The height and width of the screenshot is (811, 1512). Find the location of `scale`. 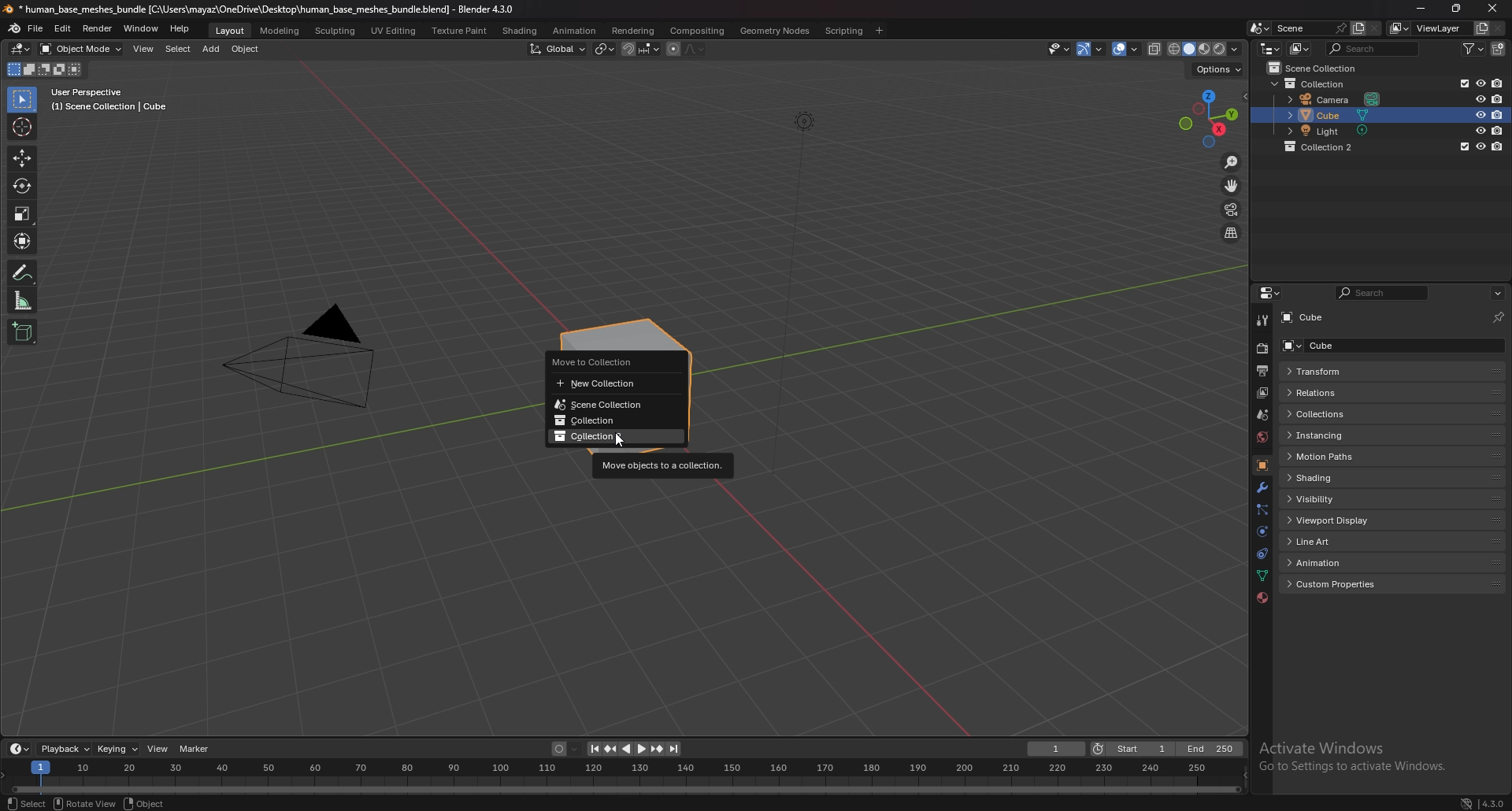

scale is located at coordinates (24, 214).